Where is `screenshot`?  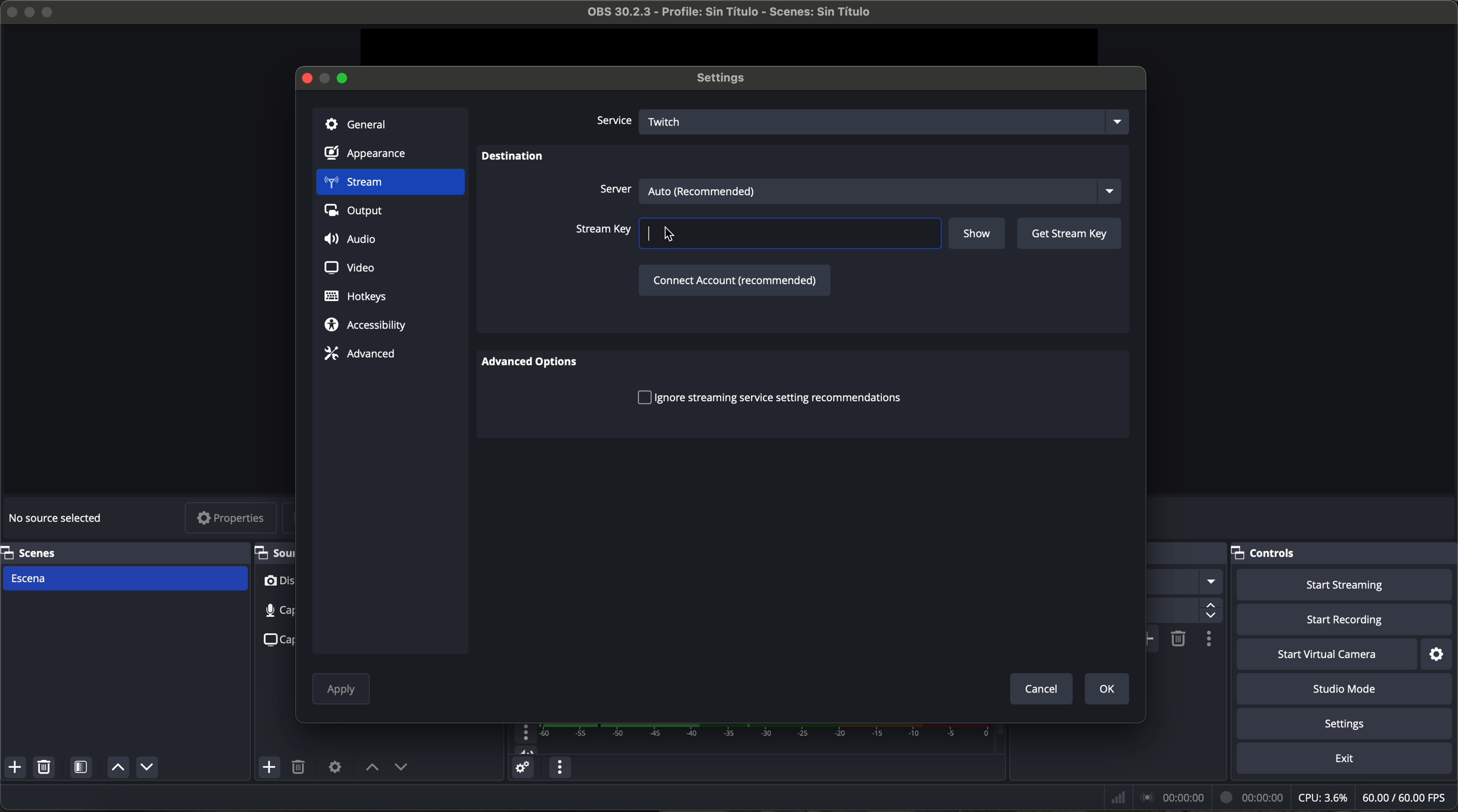
screenshot is located at coordinates (276, 639).